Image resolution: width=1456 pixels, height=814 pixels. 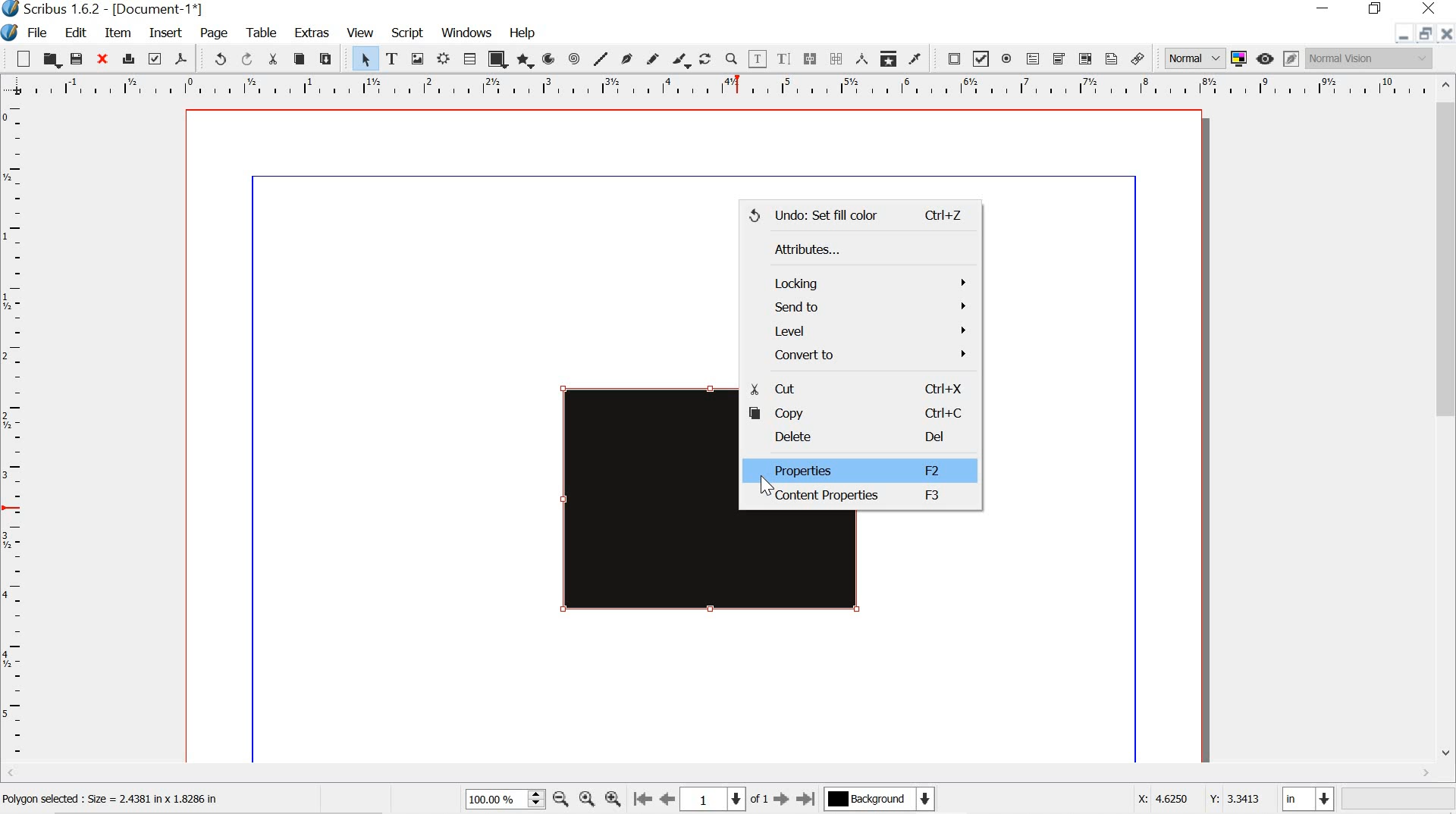 What do you see at coordinates (219, 58) in the screenshot?
I see `undo` at bounding box center [219, 58].